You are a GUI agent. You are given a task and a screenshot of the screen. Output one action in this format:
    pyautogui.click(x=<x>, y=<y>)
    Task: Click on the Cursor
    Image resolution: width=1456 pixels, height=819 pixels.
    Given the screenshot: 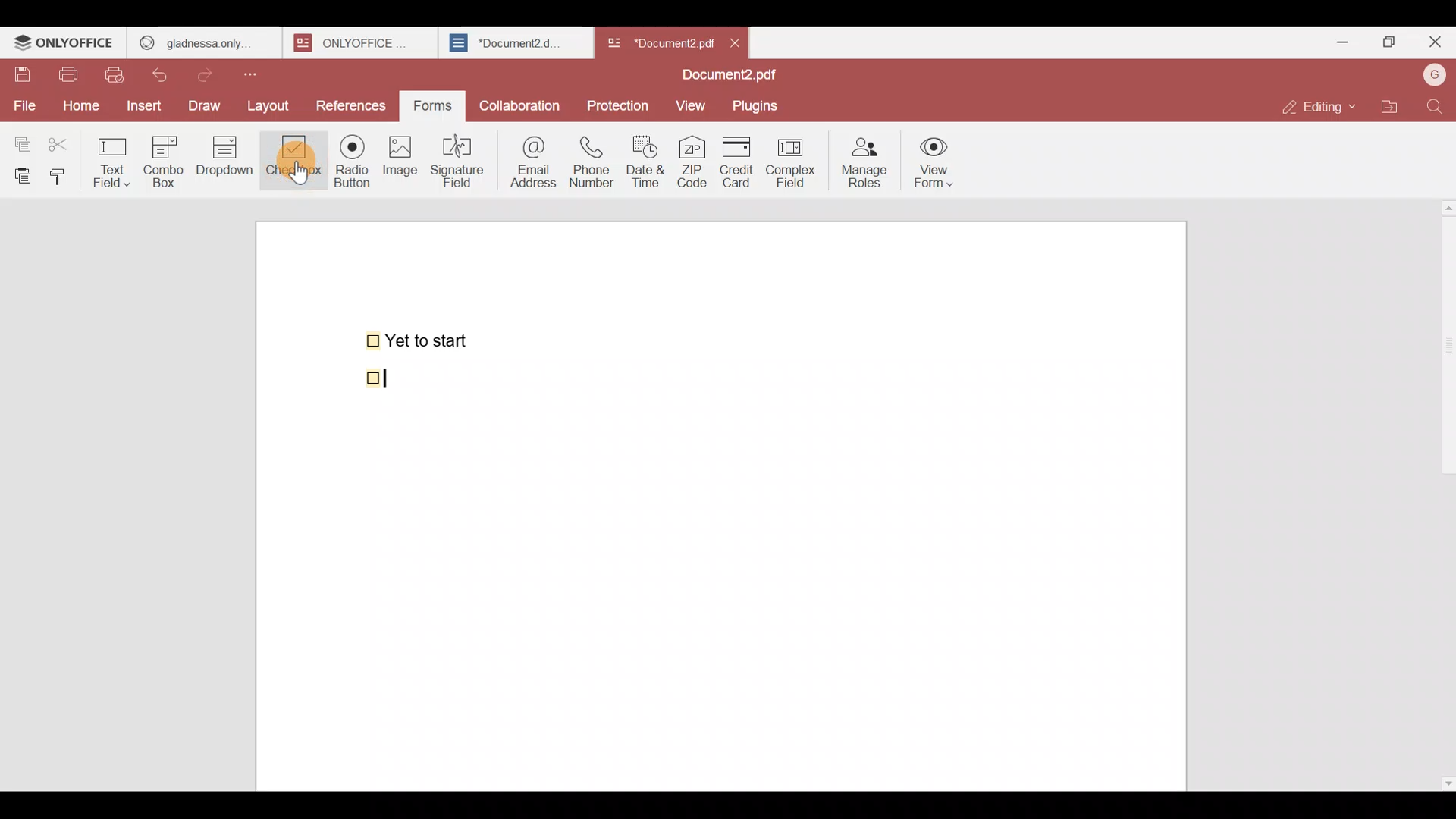 What is the action you would take?
    pyautogui.click(x=295, y=173)
    